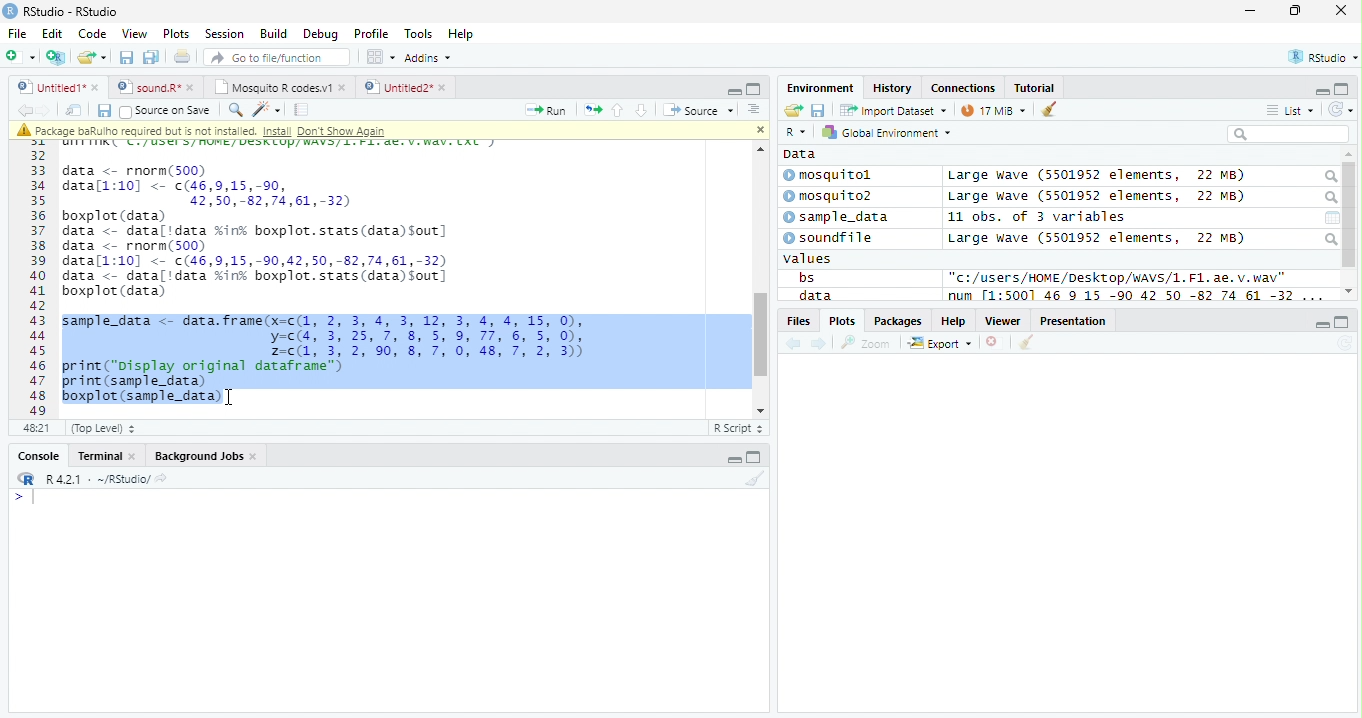 This screenshot has height=718, width=1362. What do you see at coordinates (1003, 321) in the screenshot?
I see `Viewer` at bounding box center [1003, 321].